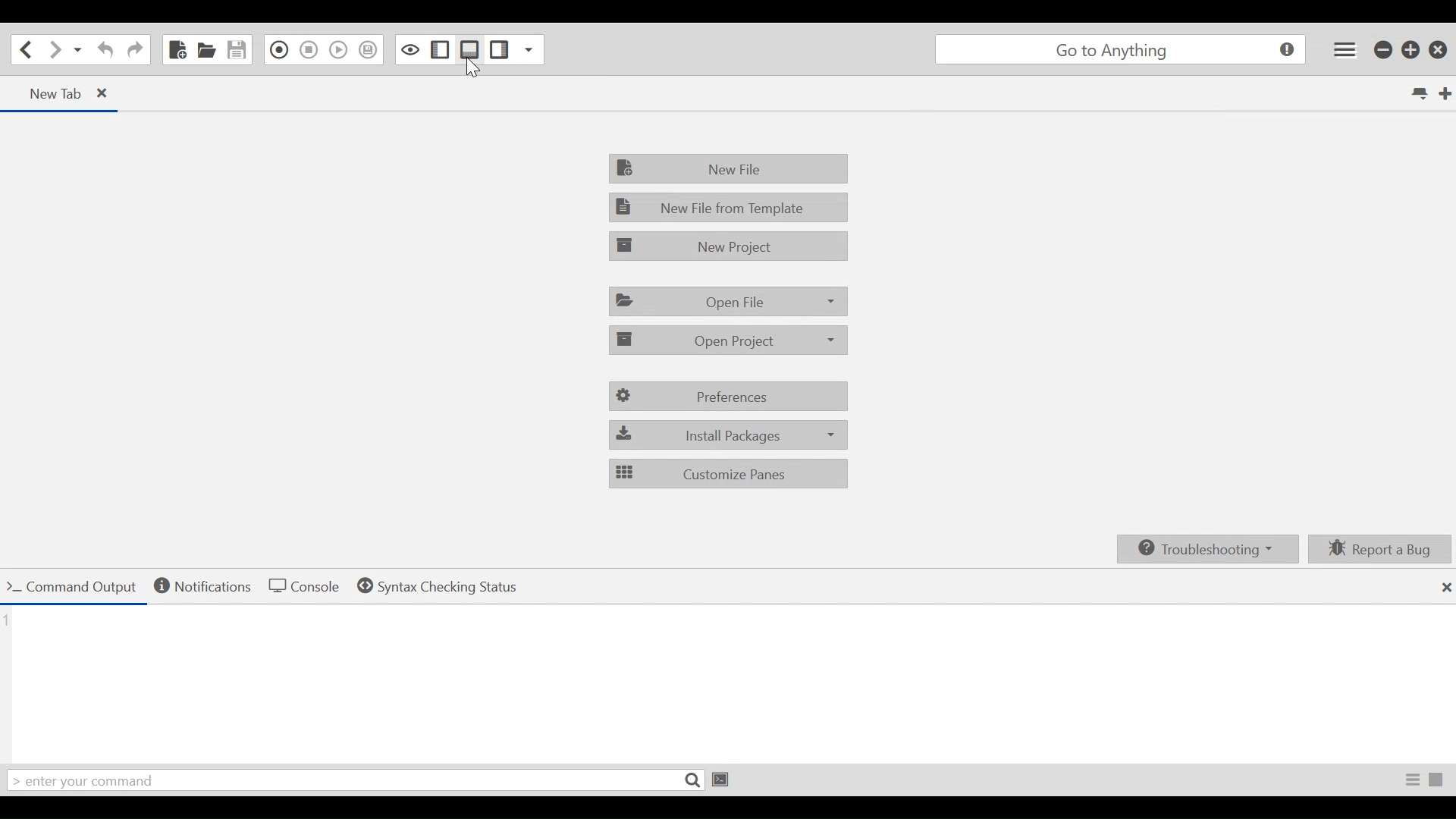 Image resolution: width=1456 pixels, height=819 pixels. What do you see at coordinates (237, 49) in the screenshot?
I see `Save File` at bounding box center [237, 49].